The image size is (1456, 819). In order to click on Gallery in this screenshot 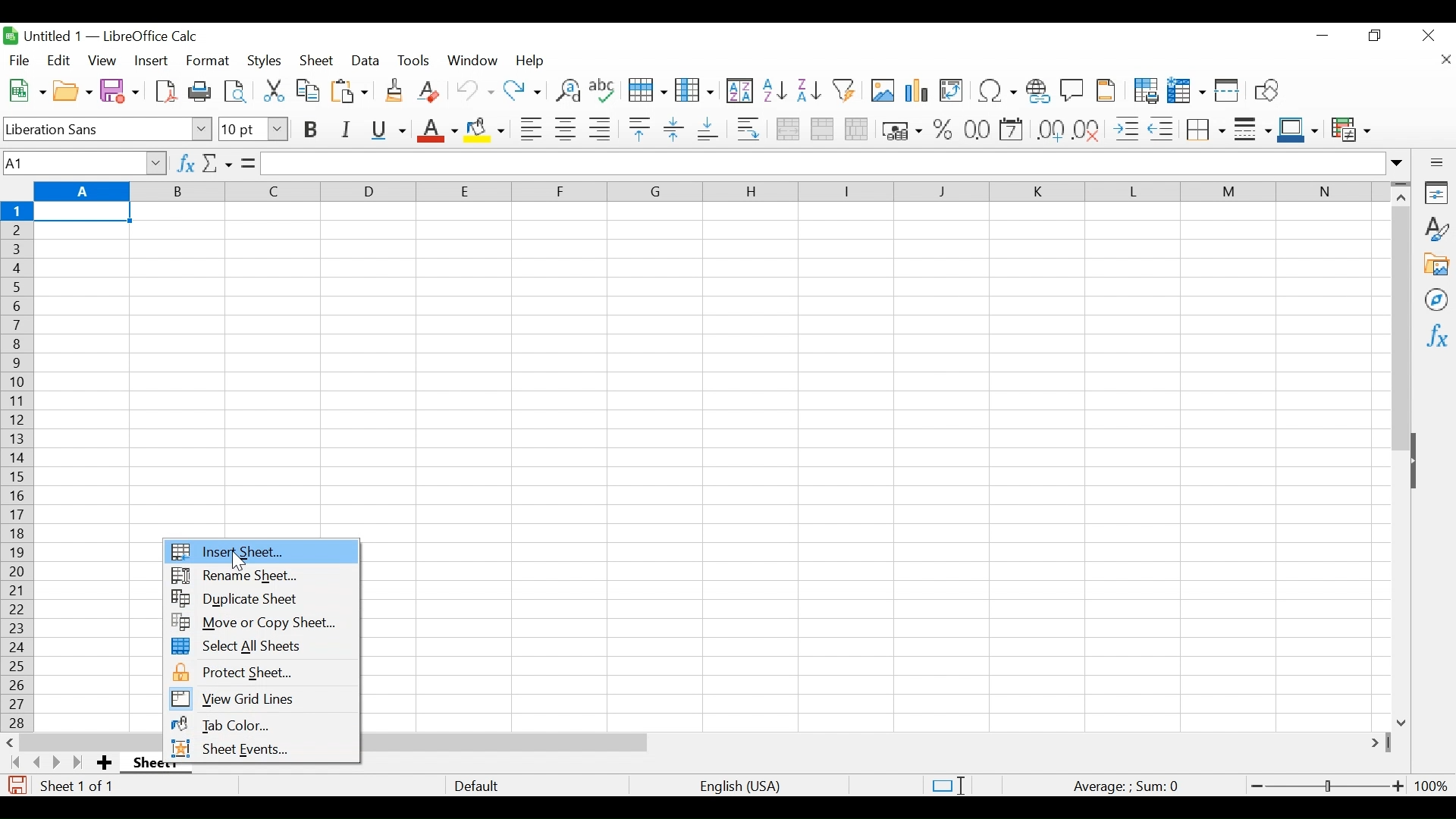, I will do `click(1436, 263)`.